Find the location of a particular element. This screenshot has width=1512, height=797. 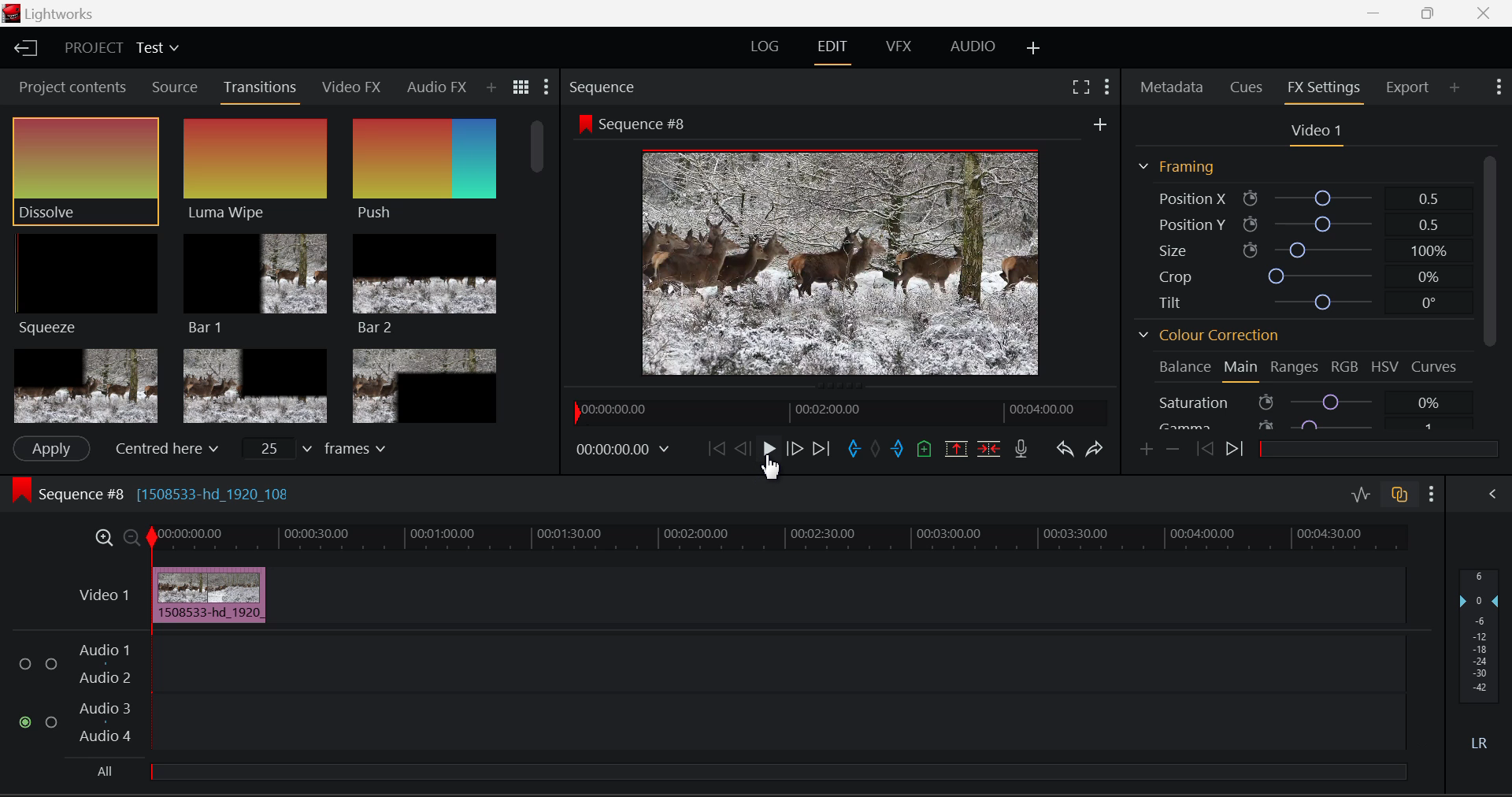

Restore Down is located at coordinates (1379, 13).